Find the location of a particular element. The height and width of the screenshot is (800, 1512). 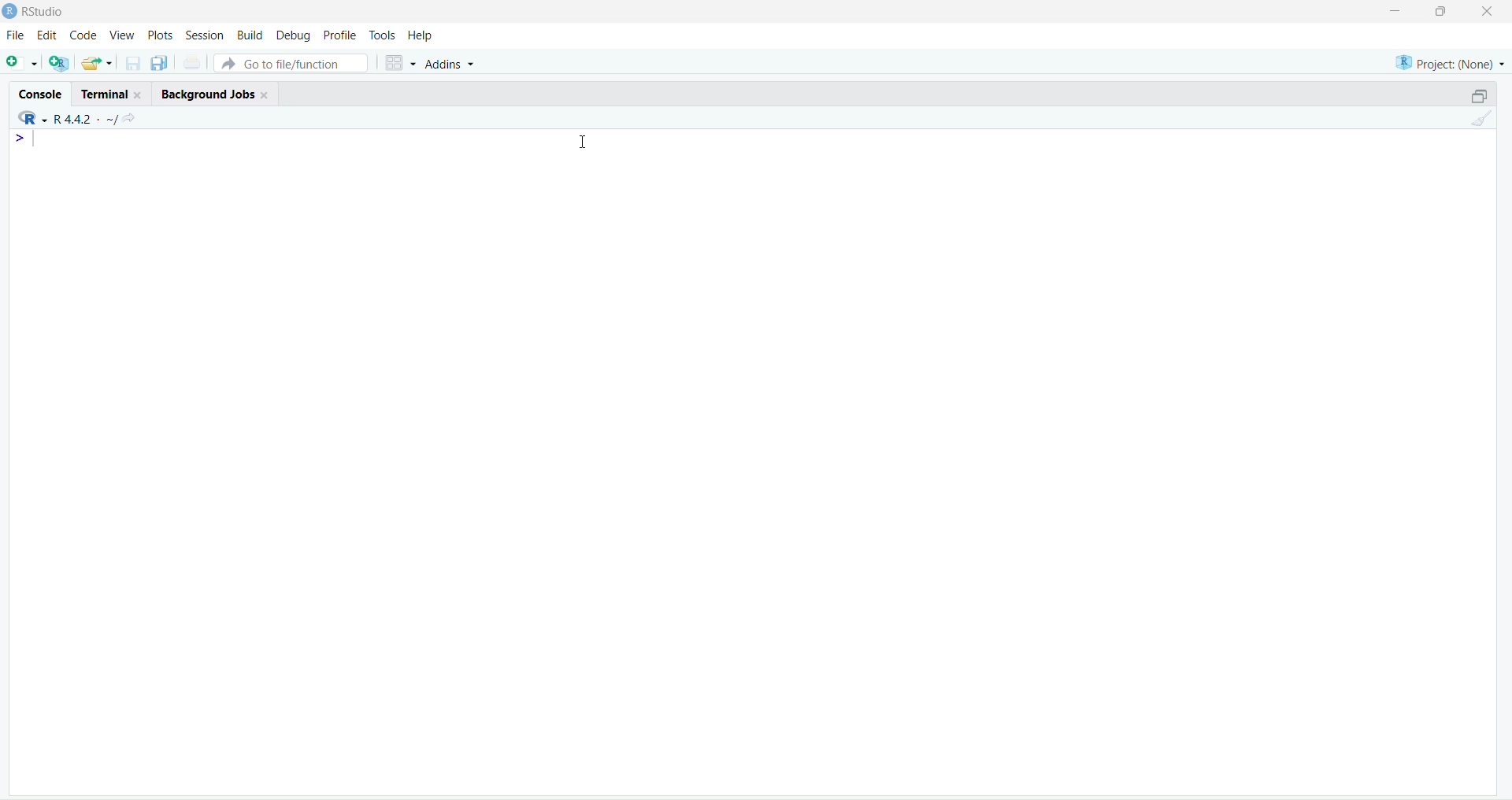

logo is located at coordinates (11, 12).